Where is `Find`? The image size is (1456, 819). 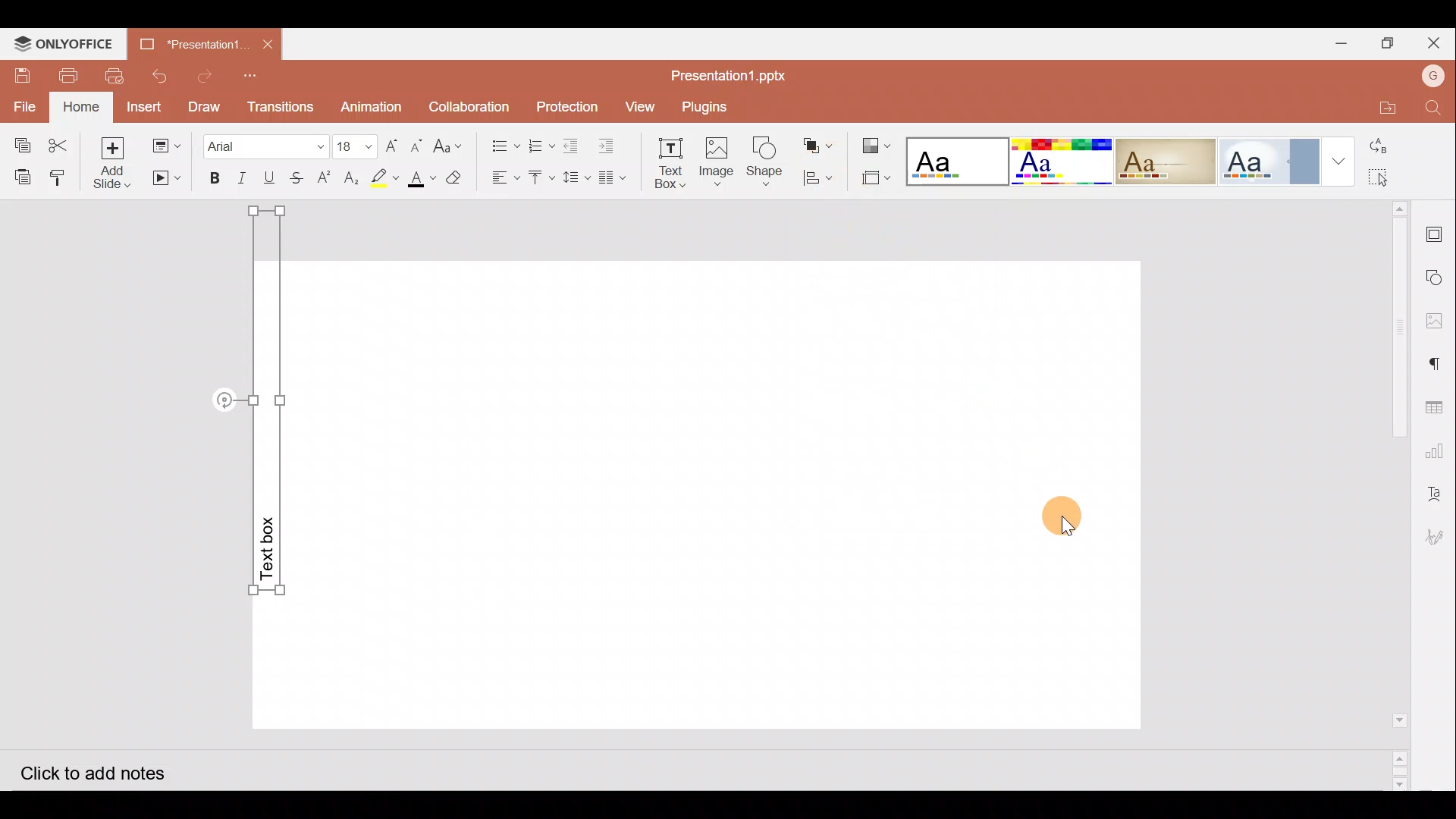
Find is located at coordinates (1433, 109).